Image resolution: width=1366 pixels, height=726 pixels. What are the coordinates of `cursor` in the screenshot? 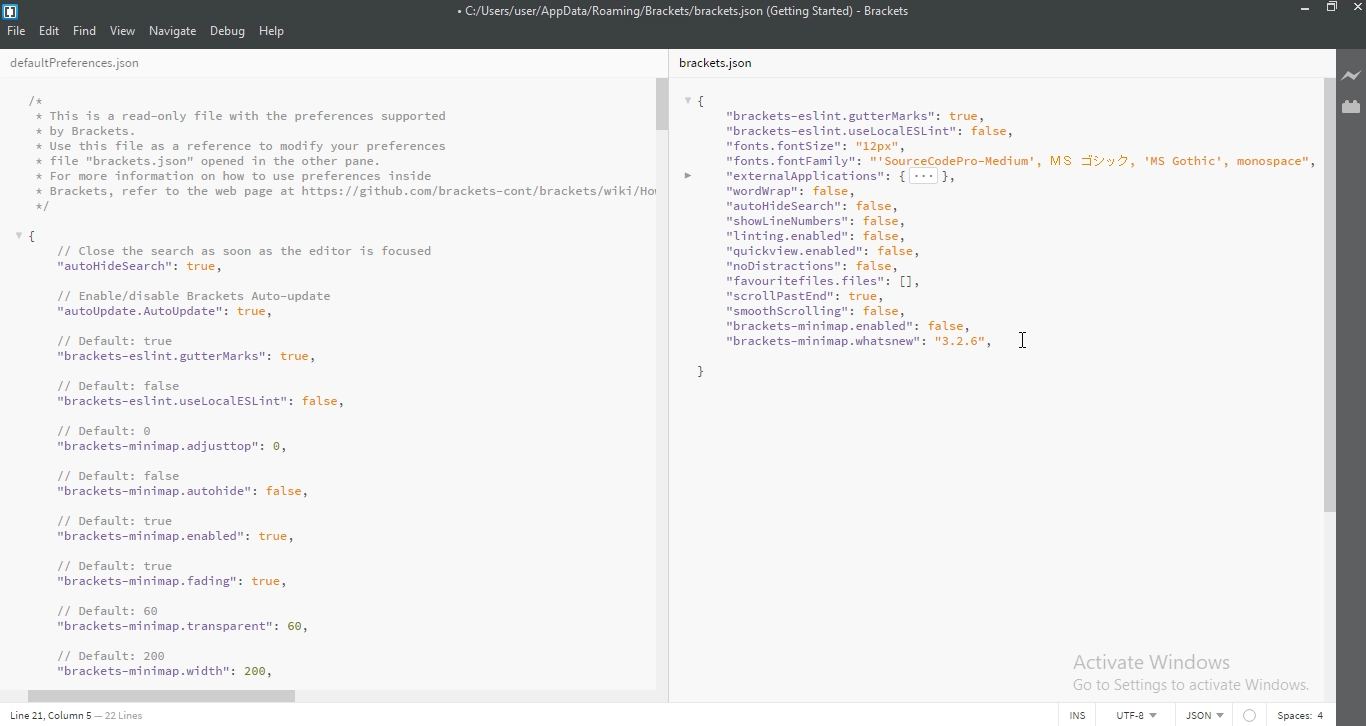 It's located at (1023, 338).